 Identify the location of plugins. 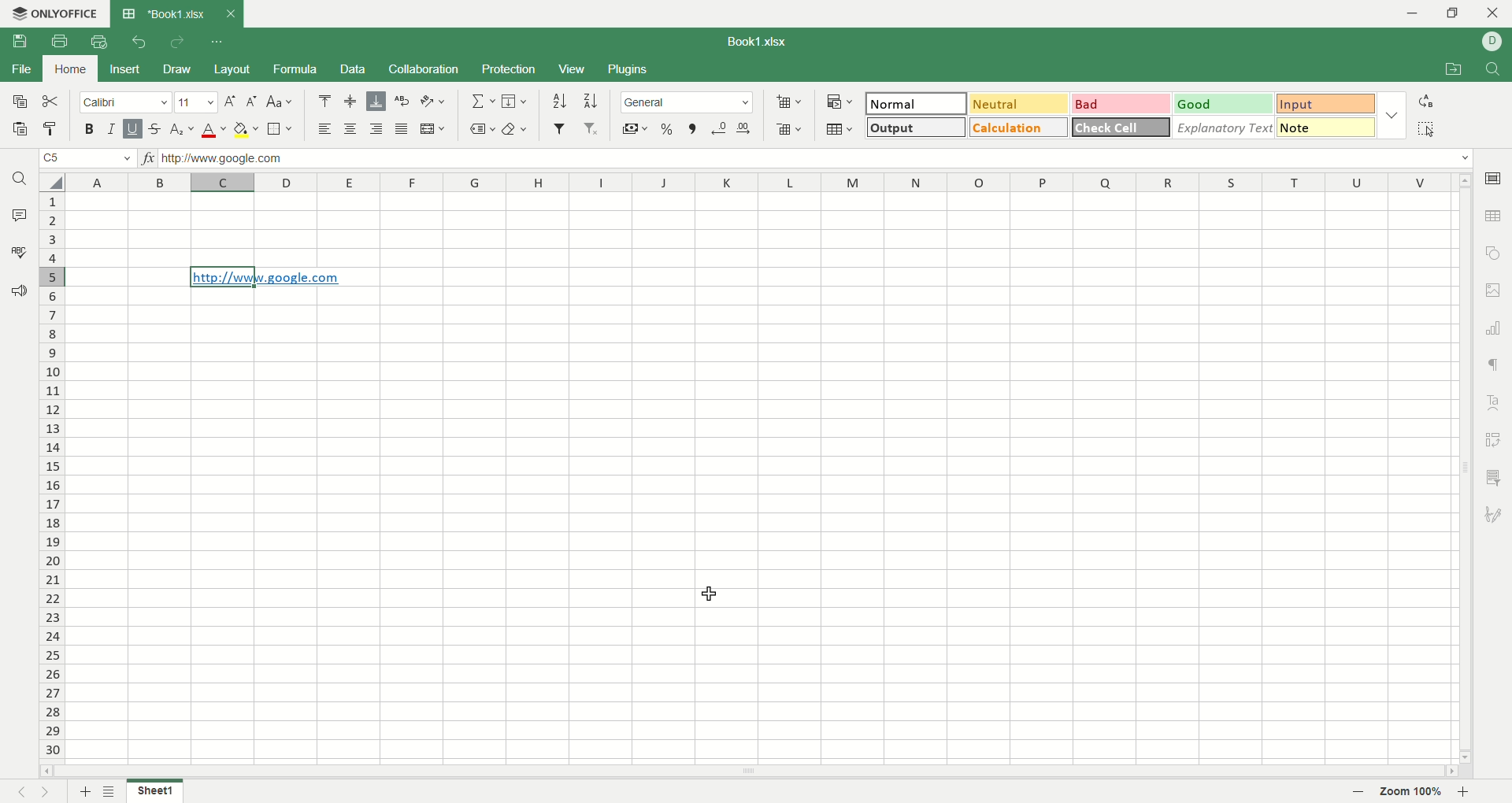
(630, 70).